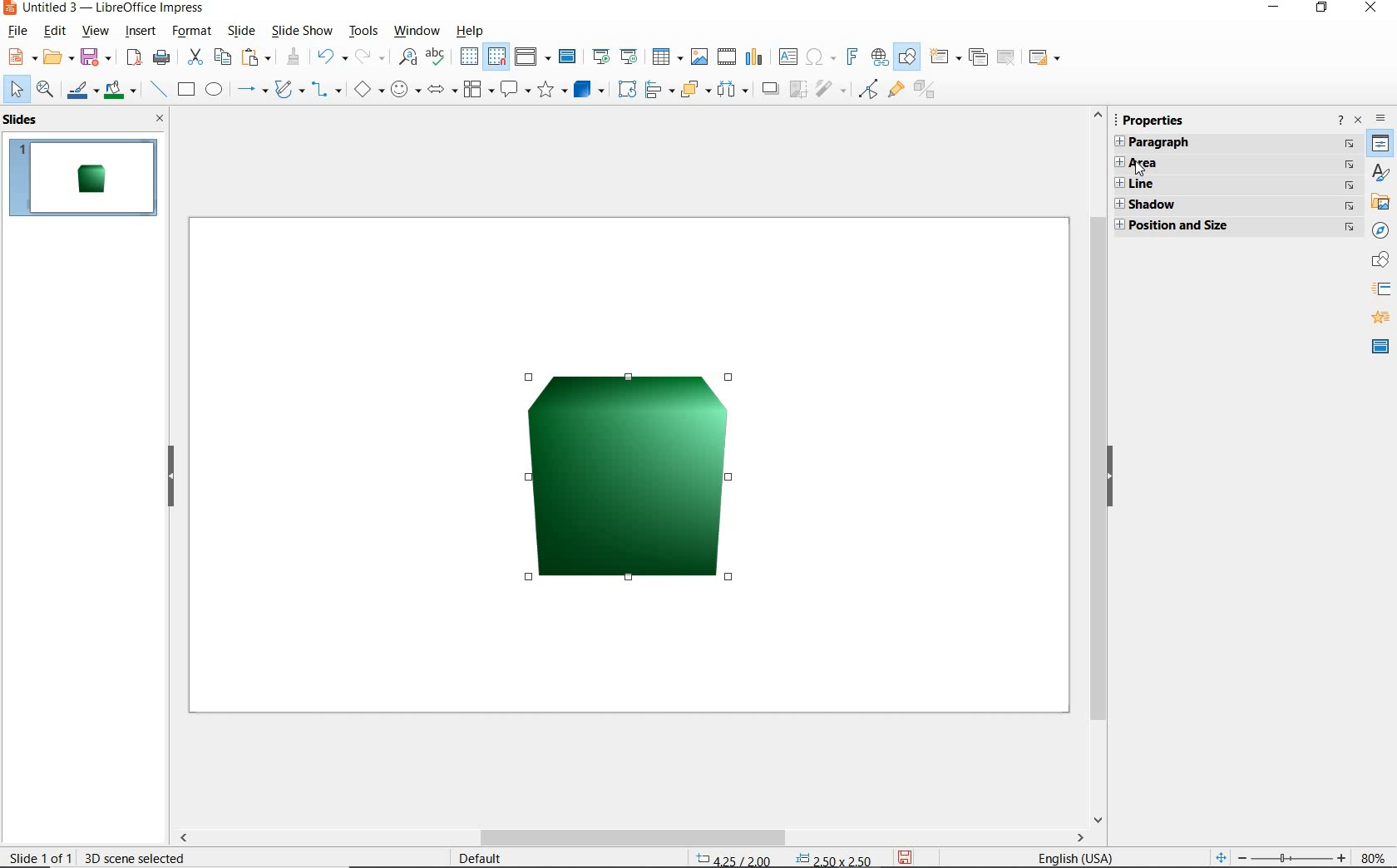 Image resolution: width=1397 pixels, height=868 pixels. What do you see at coordinates (364, 31) in the screenshot?
I see `tools` at bounding box center [364, 31].